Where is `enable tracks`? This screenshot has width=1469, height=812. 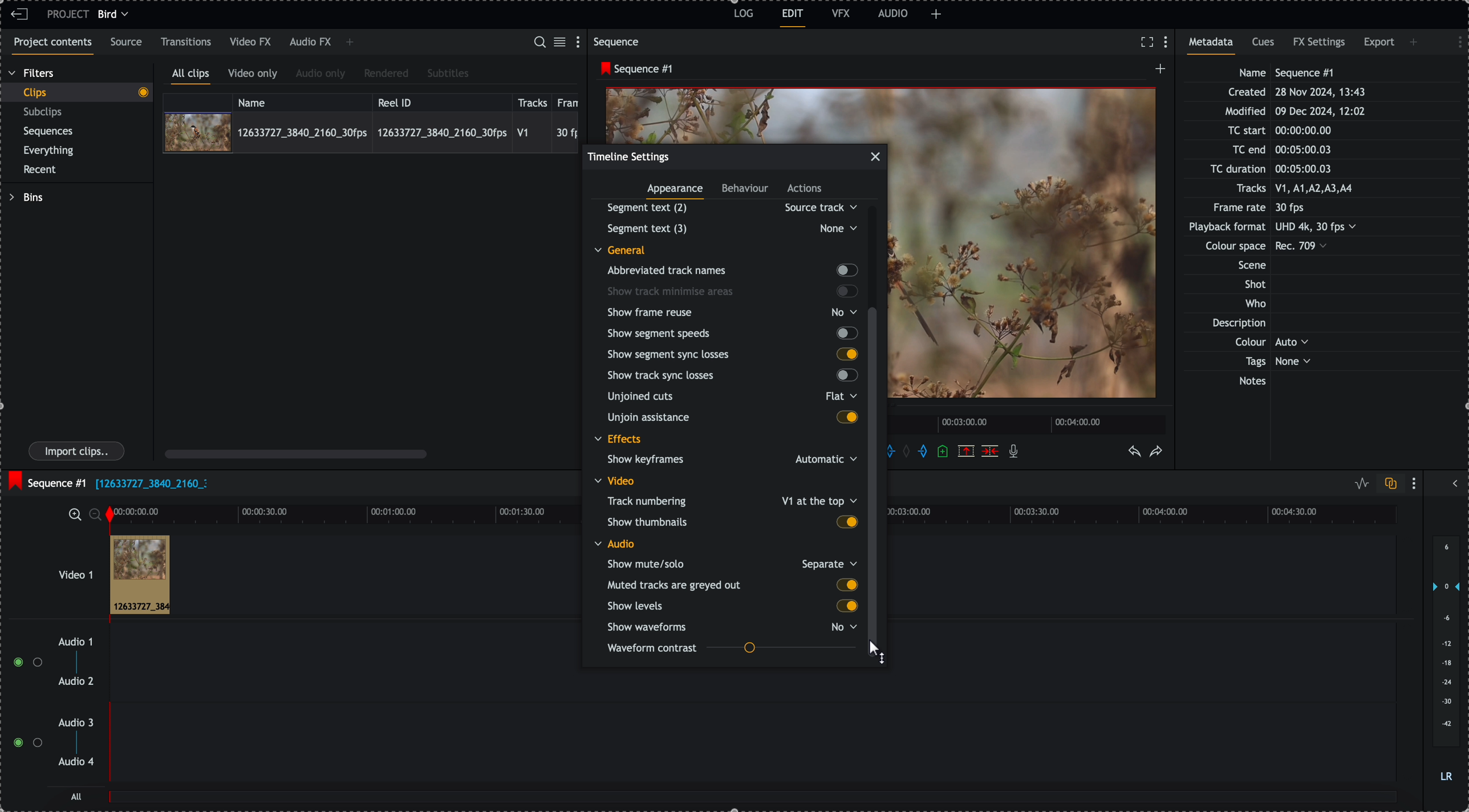
enable tracks is located at coordinates (23, 703).